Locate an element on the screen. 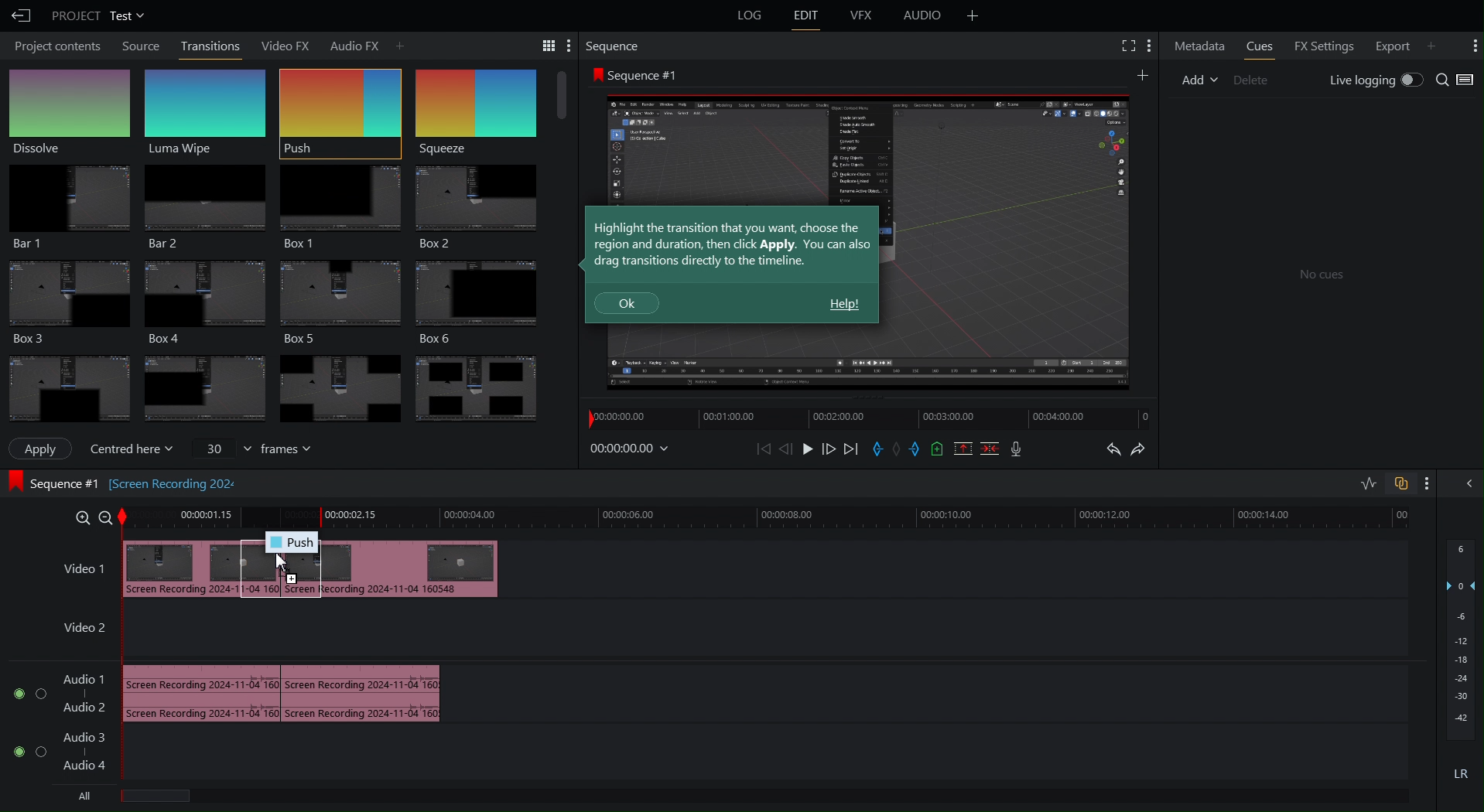 This screenshot has height=812, width=1484. Highlight the transition that you want, choose the
region and duration, then click Apply. You can also
drag transitions directly to the timeline. is located at coordinates (733, 244).